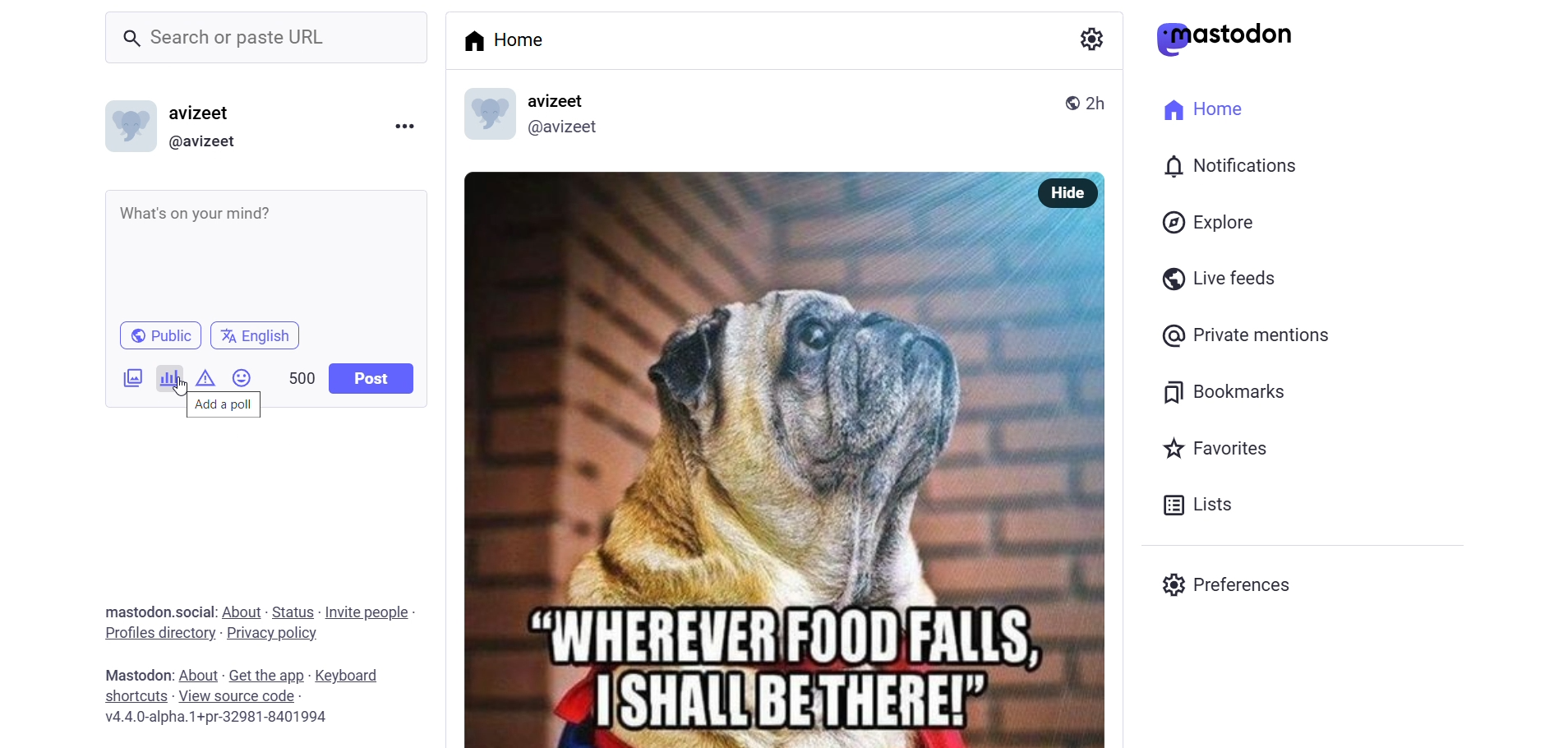 Image resolution: width=1568 pixels, height=748 pixels. Describe the element at coordinates (239, 696) in the screenshot. I see `source code` at that location.